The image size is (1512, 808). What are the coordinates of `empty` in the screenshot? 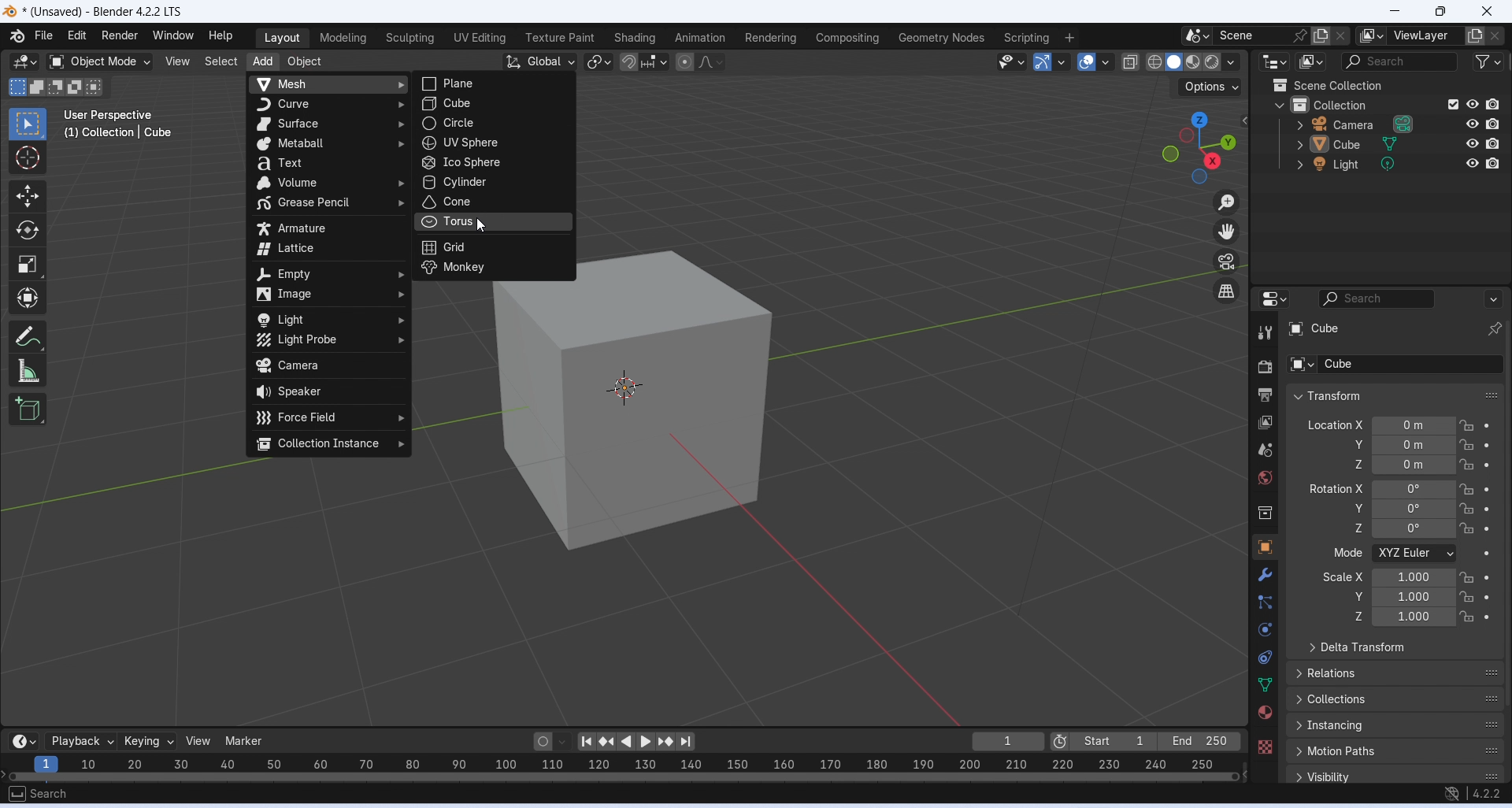 It's located at (328, 273).